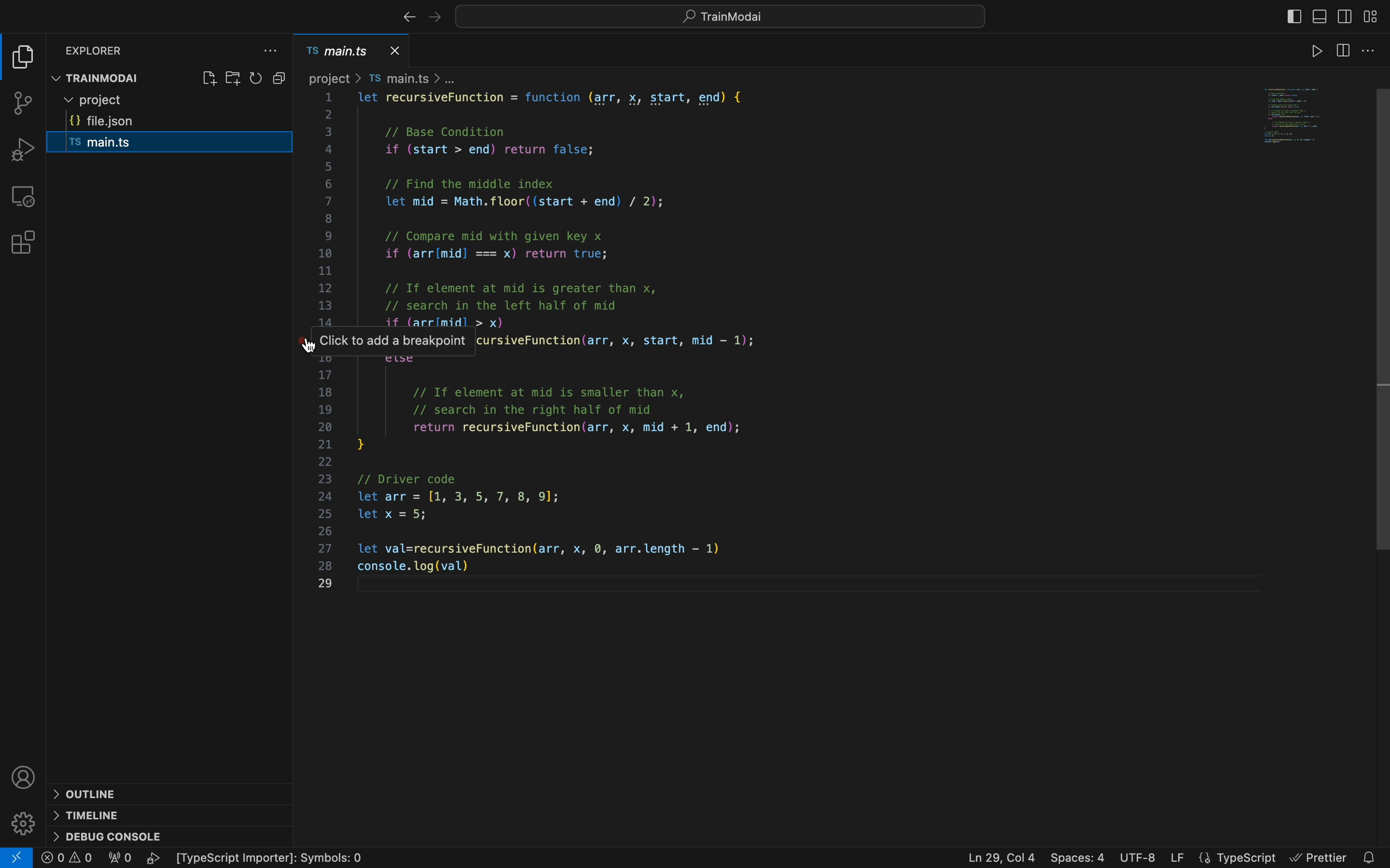 The width and height of the screenshot is (1390, 868). I want to click on error logs, so click(215, 858).